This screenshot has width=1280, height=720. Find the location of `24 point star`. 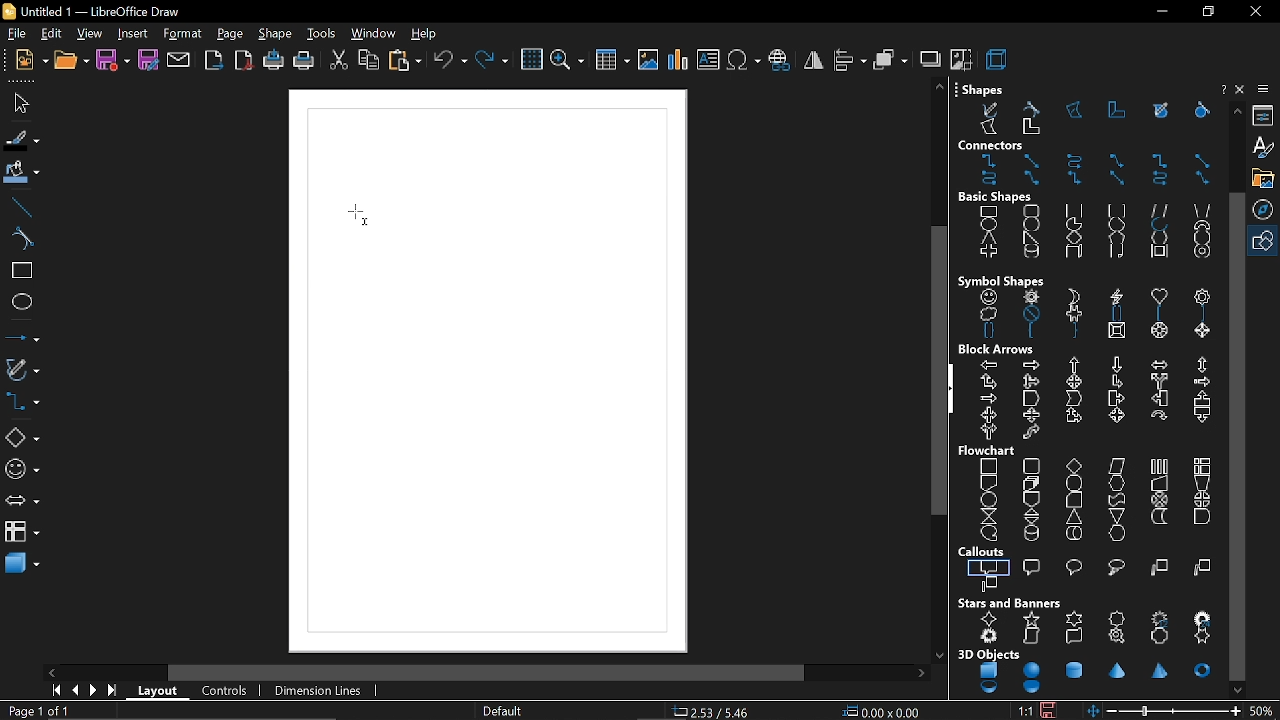

24 point star is located at coordinates (1203, 617).